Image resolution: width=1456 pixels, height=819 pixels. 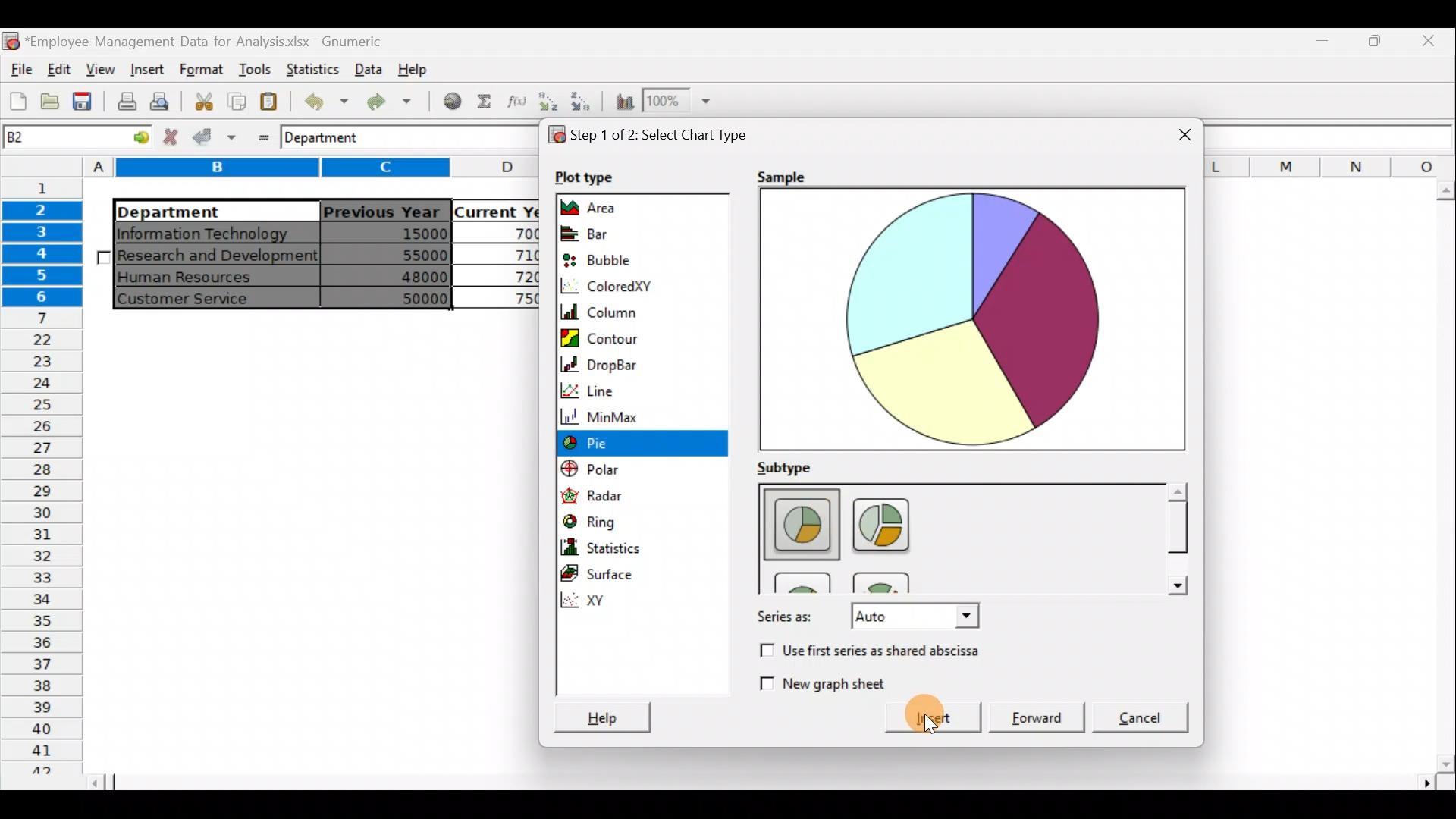 I want to click on Gnumeric logo, so click(x=11, y=40).